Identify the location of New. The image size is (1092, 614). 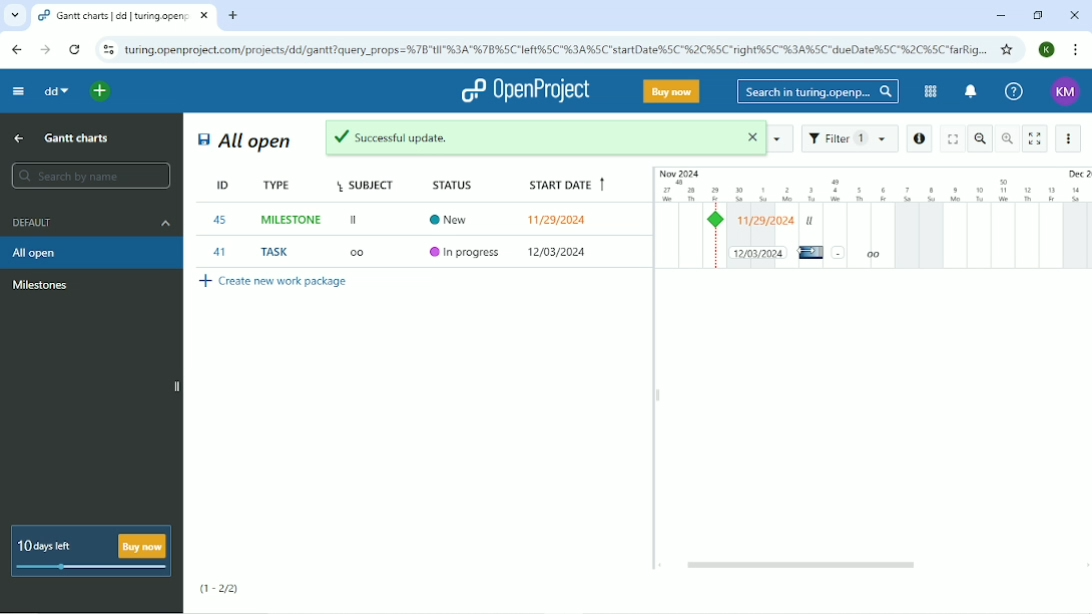
(454, 218).